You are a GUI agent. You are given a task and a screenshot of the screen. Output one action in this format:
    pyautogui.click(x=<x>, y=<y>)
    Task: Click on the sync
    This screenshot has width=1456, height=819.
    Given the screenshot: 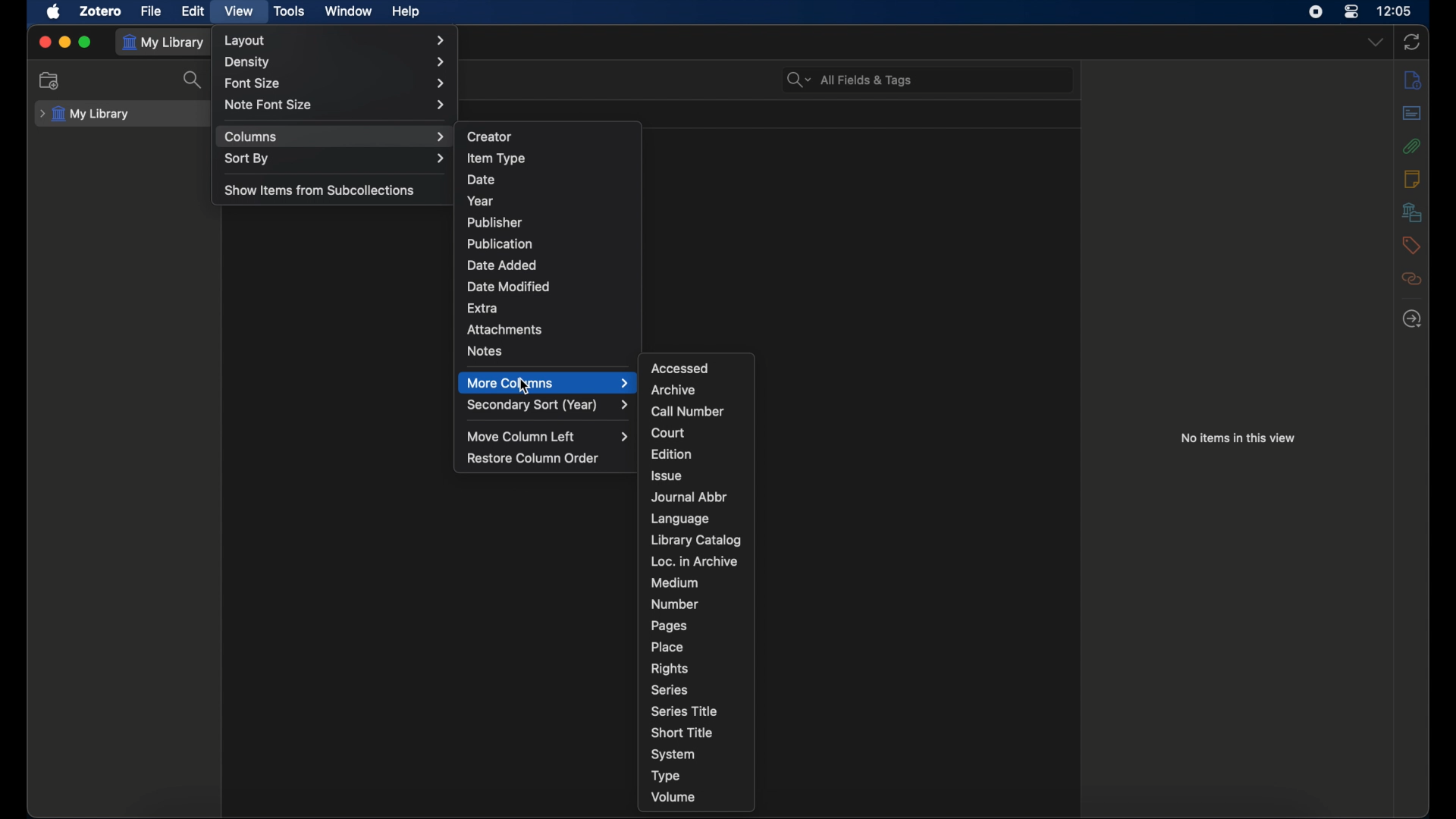 What is the action you would take?
    pyautogui.click(x=1412, y=43)
    